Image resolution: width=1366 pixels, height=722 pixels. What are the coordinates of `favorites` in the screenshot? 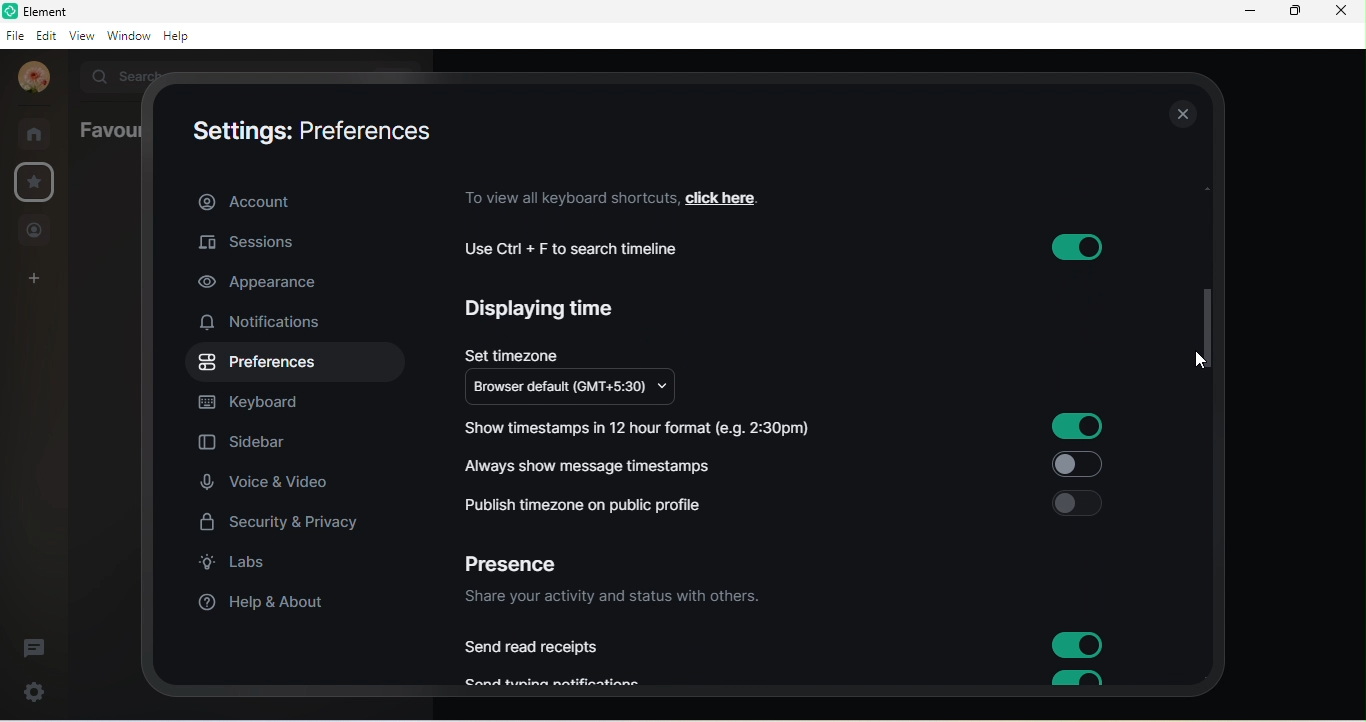 It's located at (33, 182).